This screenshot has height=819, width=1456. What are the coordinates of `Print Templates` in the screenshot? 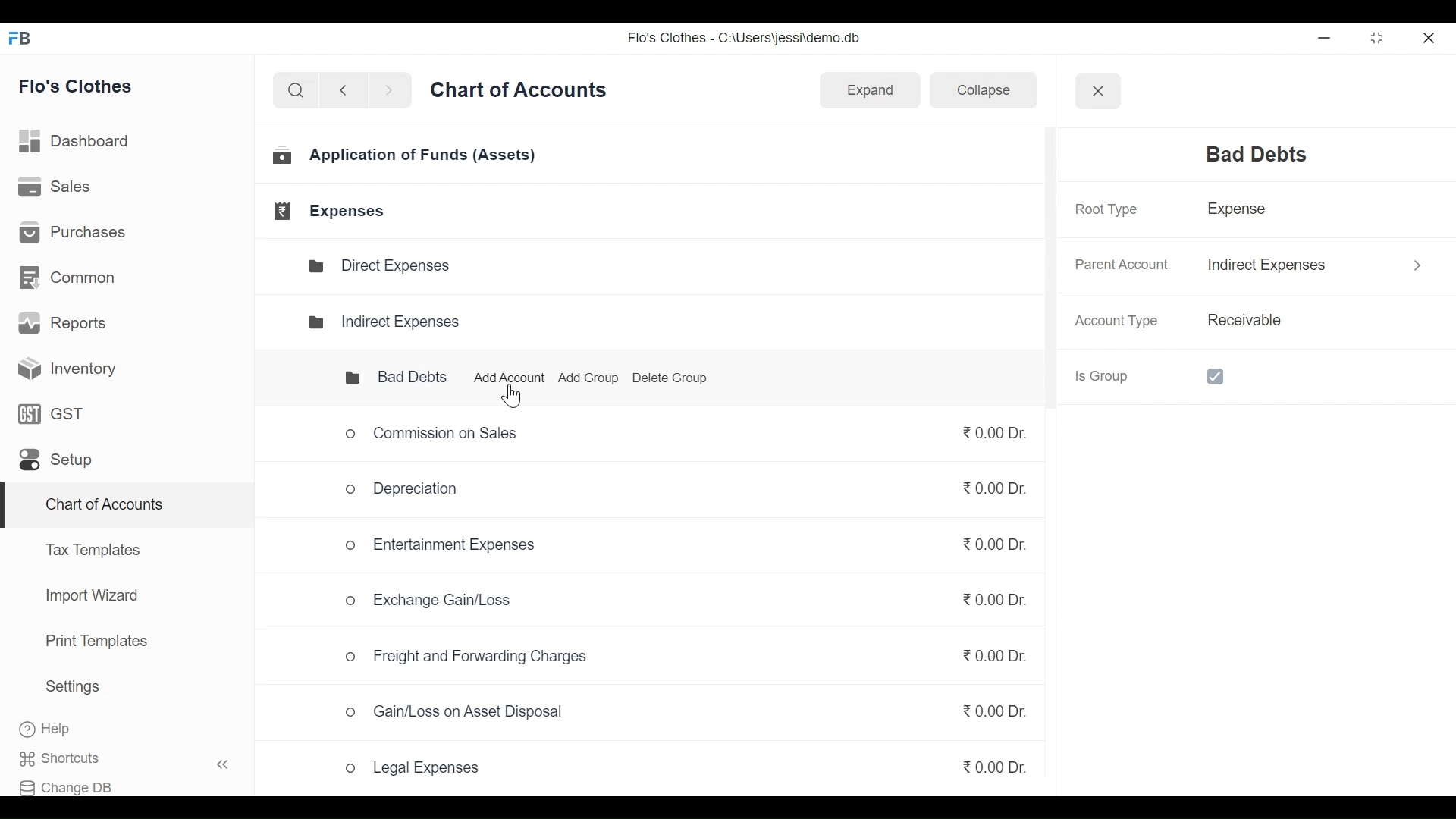 It's located at (95, 641).